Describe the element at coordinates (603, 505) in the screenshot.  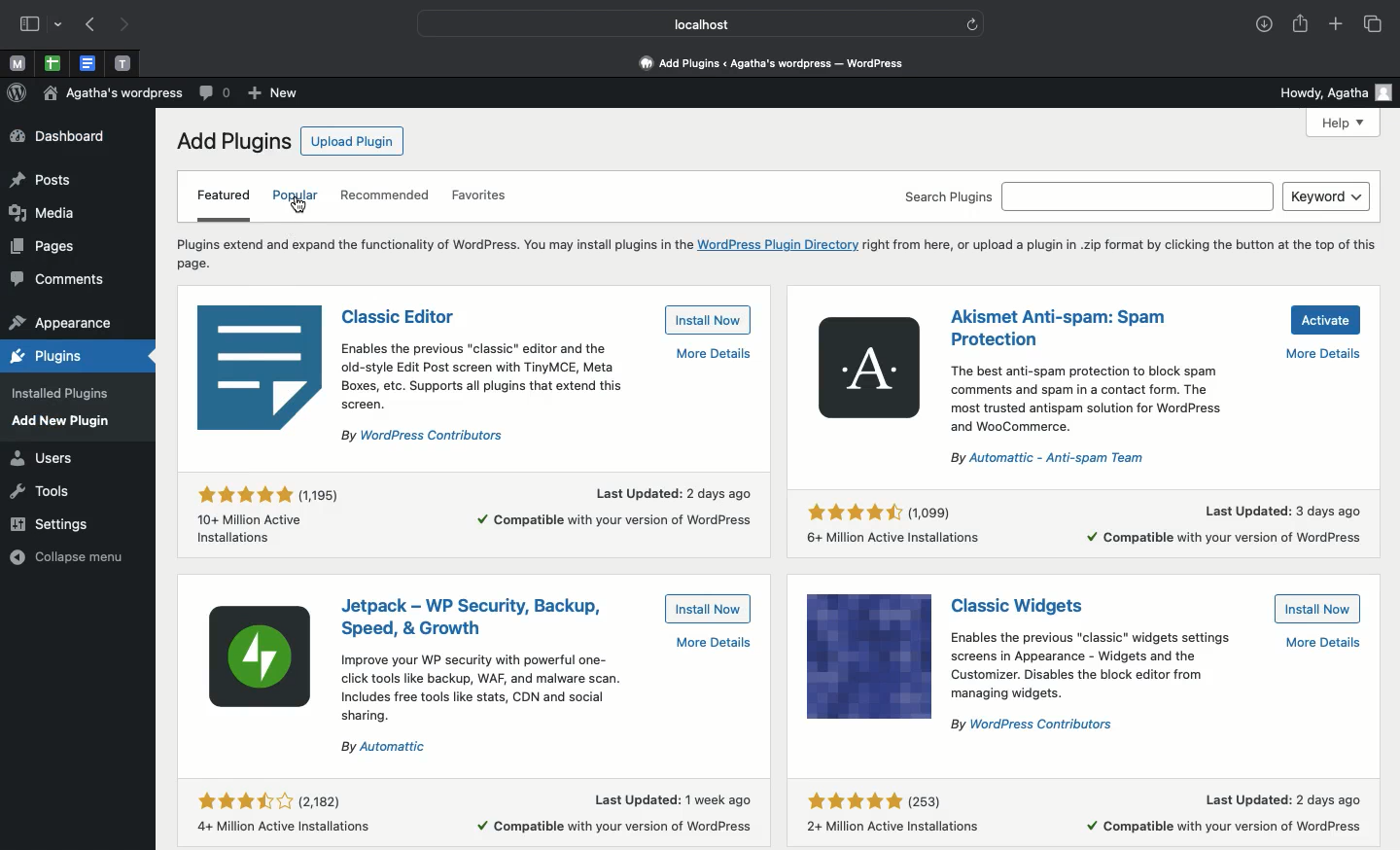
I see `More details` at that location.